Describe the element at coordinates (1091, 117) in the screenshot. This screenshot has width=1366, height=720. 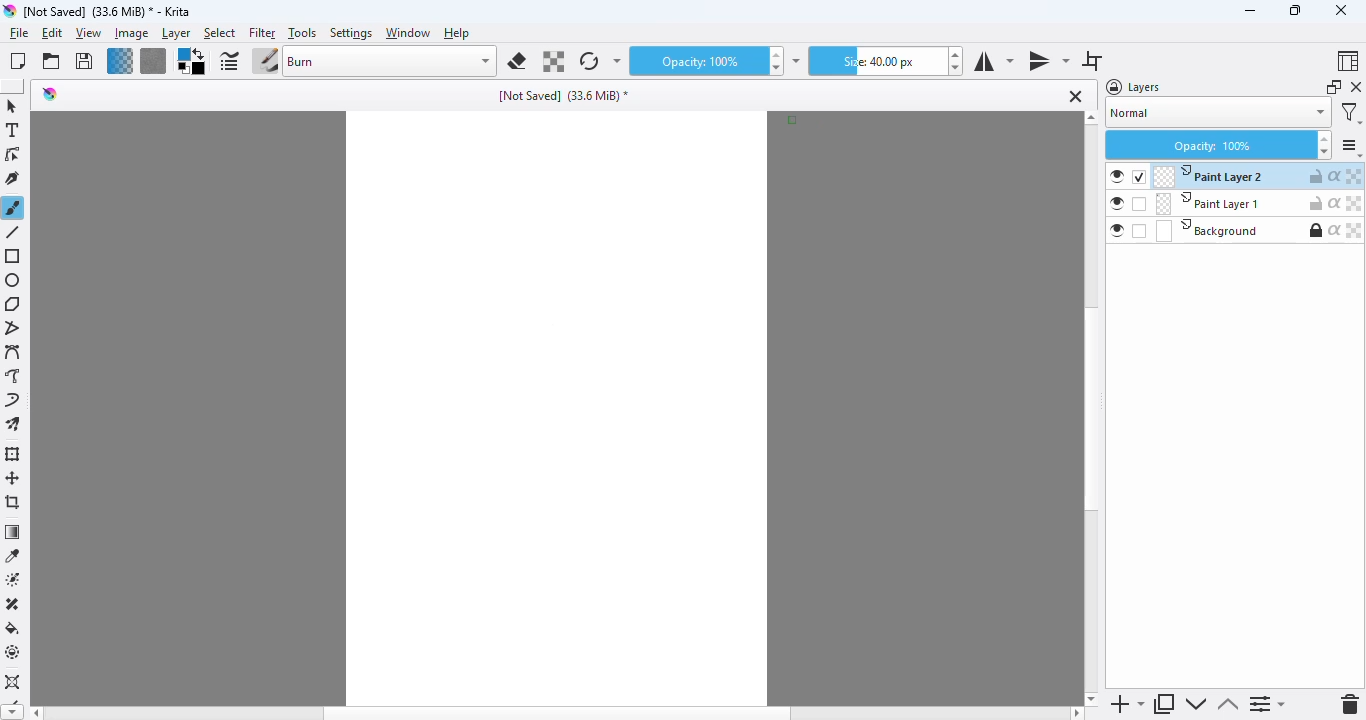
I see `scroll up` at that location.